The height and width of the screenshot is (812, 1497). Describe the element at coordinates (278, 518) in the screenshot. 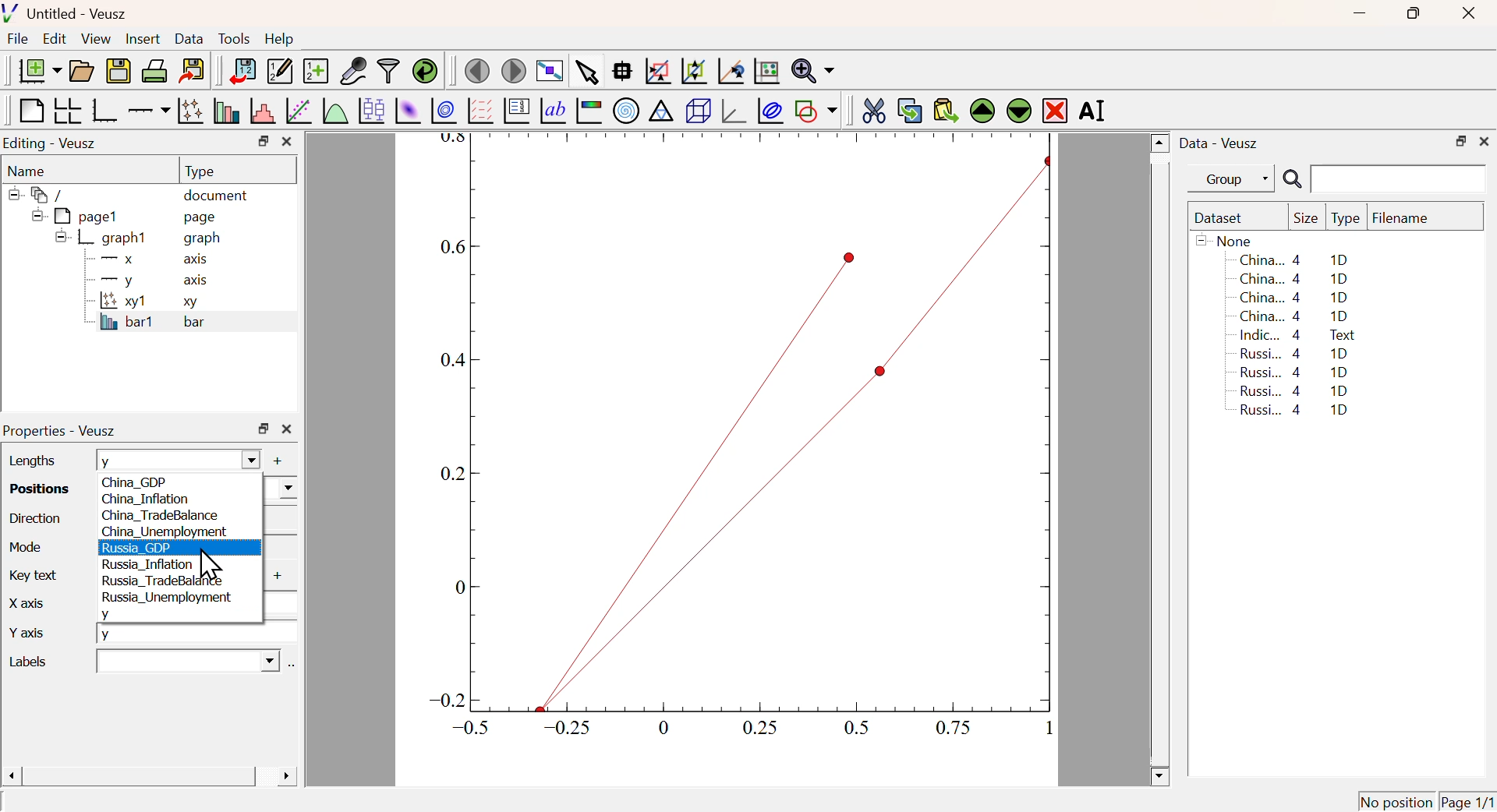

I see `Vertical` at that location.